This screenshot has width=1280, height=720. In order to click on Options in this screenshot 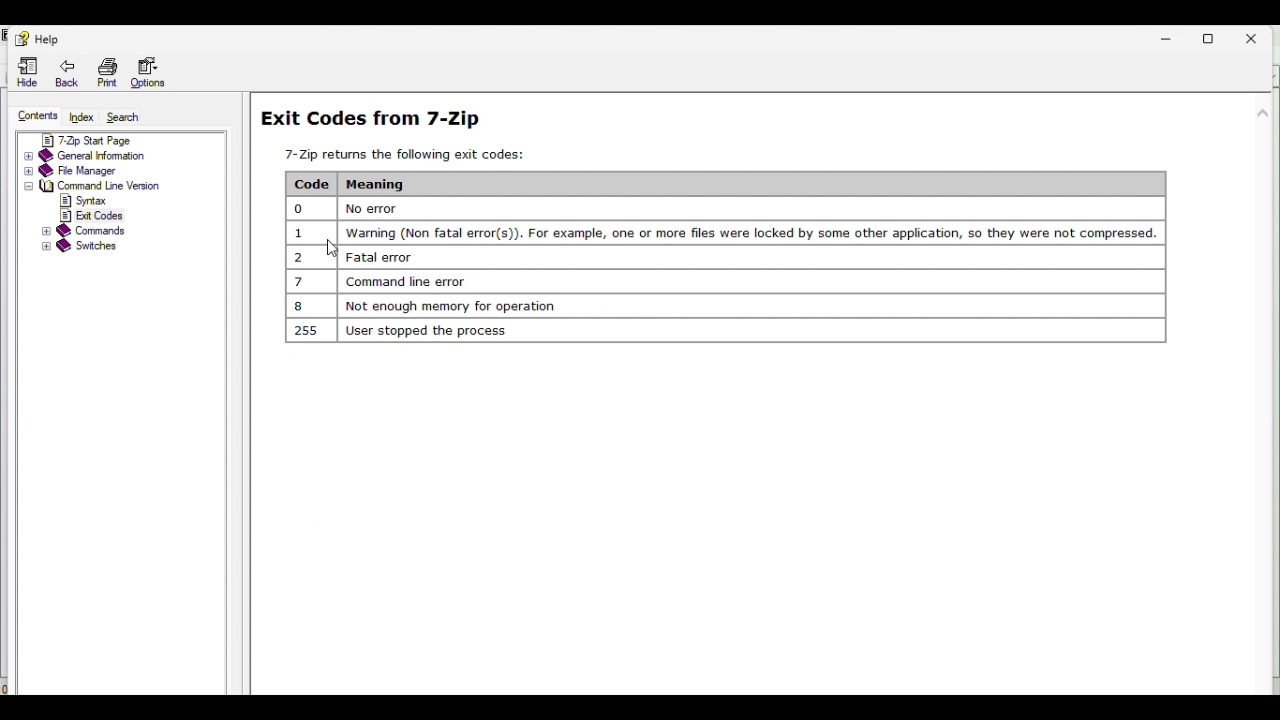, I will do `click(147, 73)`.